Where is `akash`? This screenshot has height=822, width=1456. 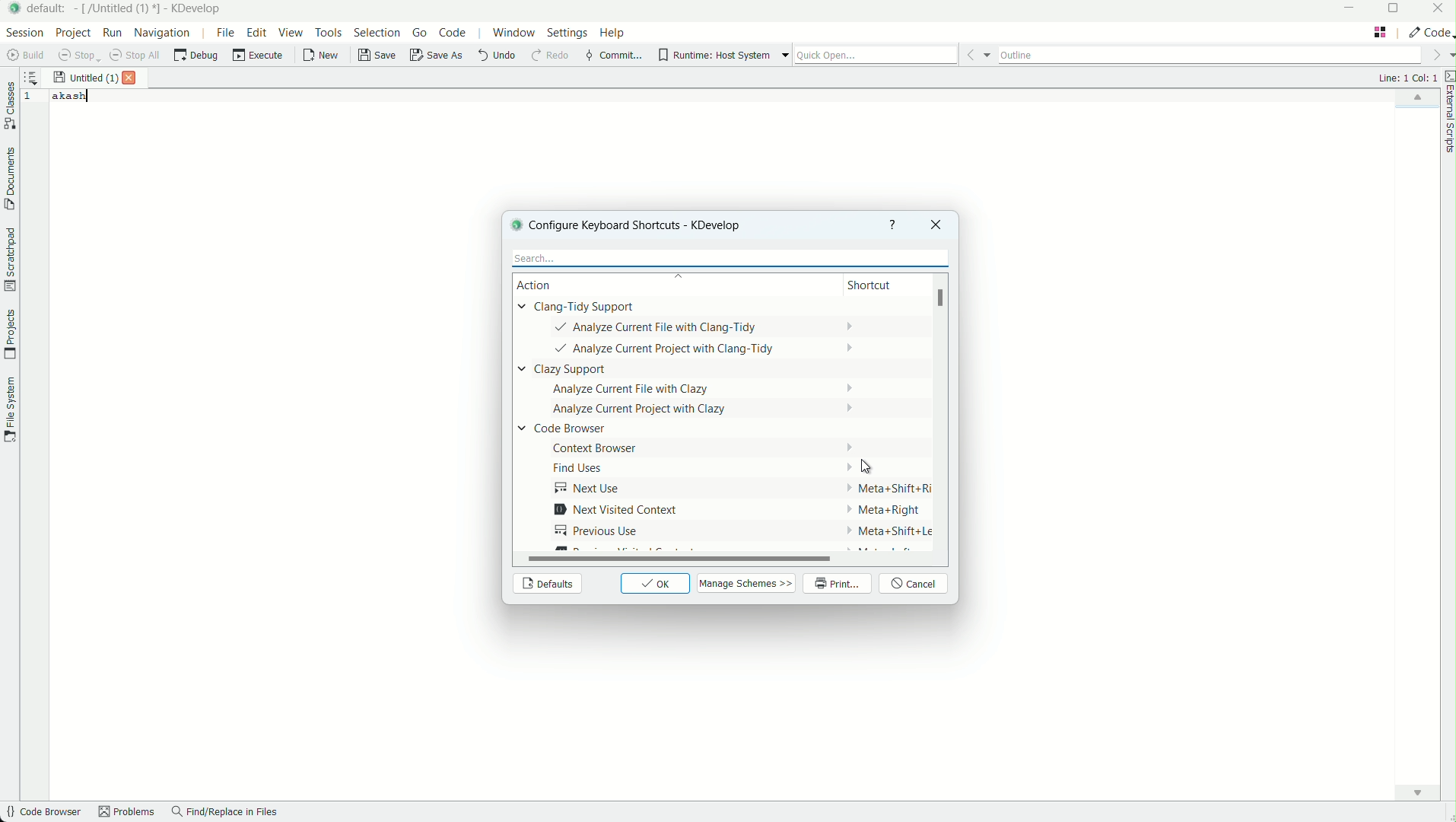
akash is located at coordinates (71, 96).